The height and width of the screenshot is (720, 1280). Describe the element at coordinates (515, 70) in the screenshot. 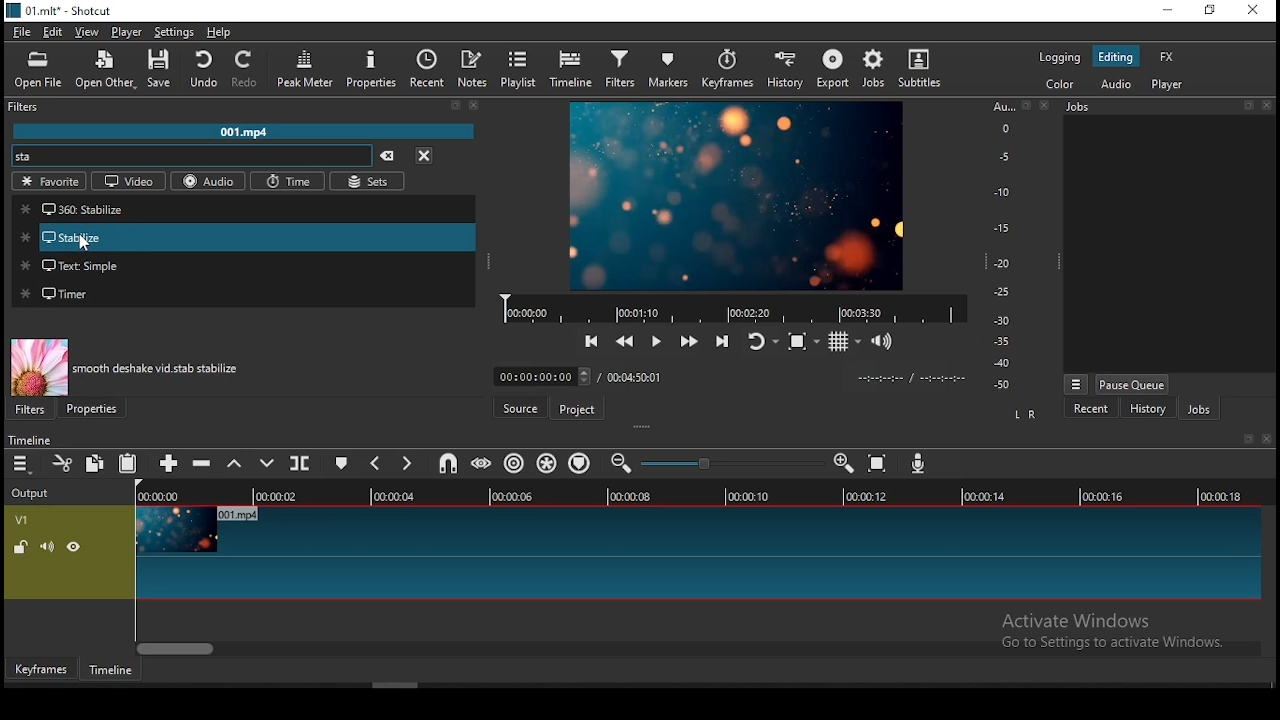

I see `Playlist` at that location.